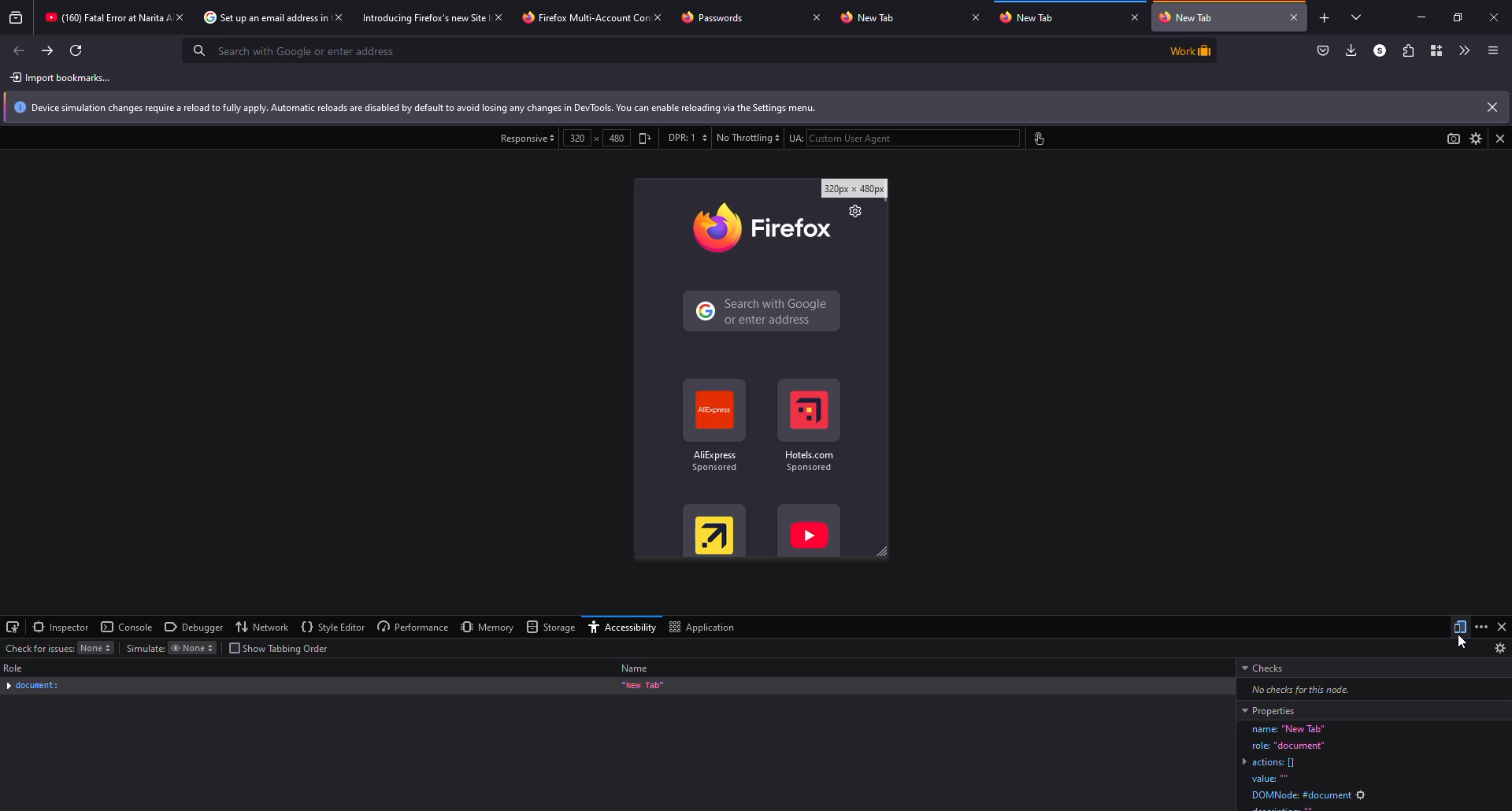 This screenshot has height=811, width=1512. What do you see at coordinates (281, 648) in the screenshot?
I see `show tabbing order` at bounding box center [281, 648].